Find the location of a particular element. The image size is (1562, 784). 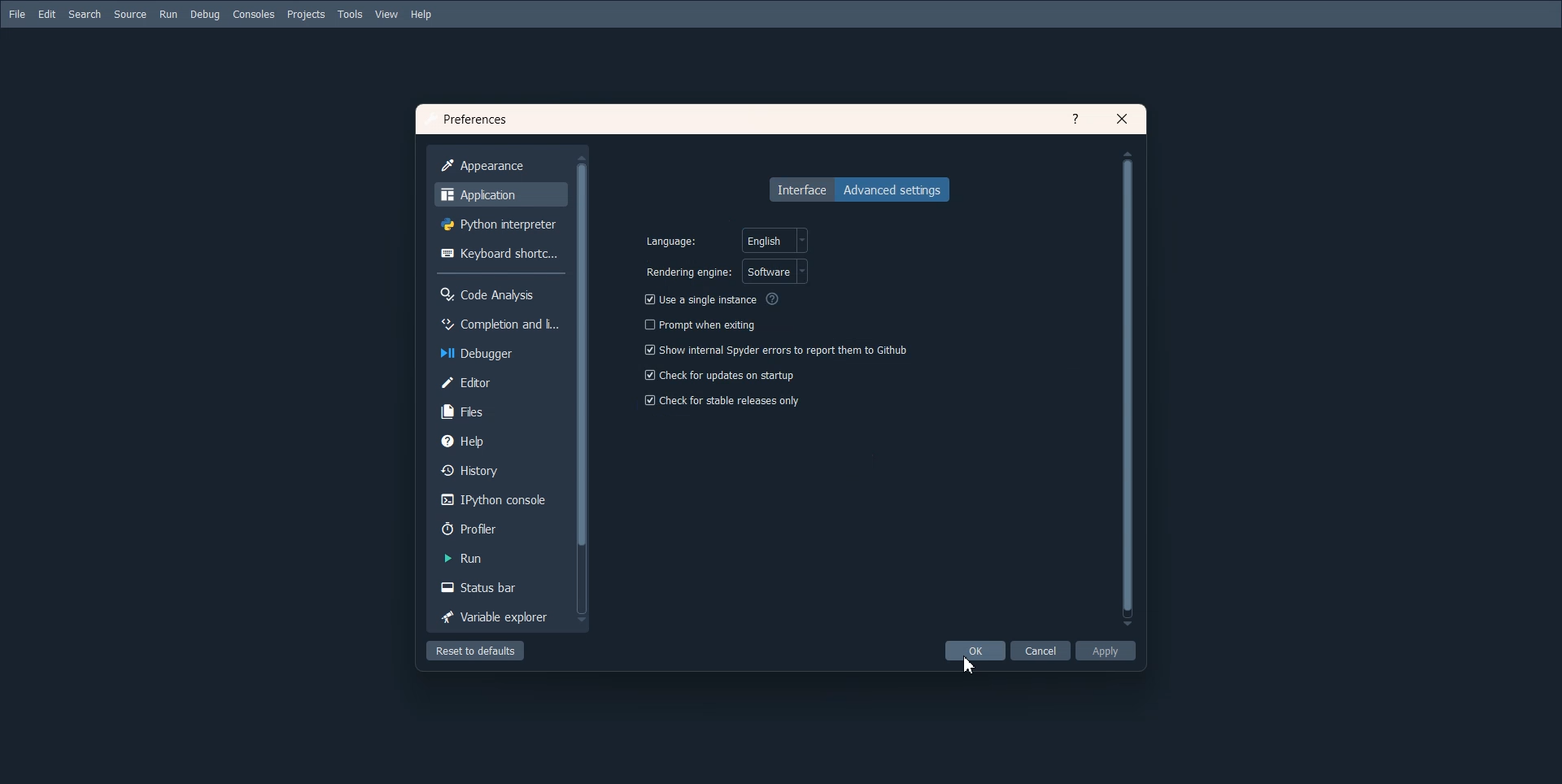

History is located at coordinates (499, 472).